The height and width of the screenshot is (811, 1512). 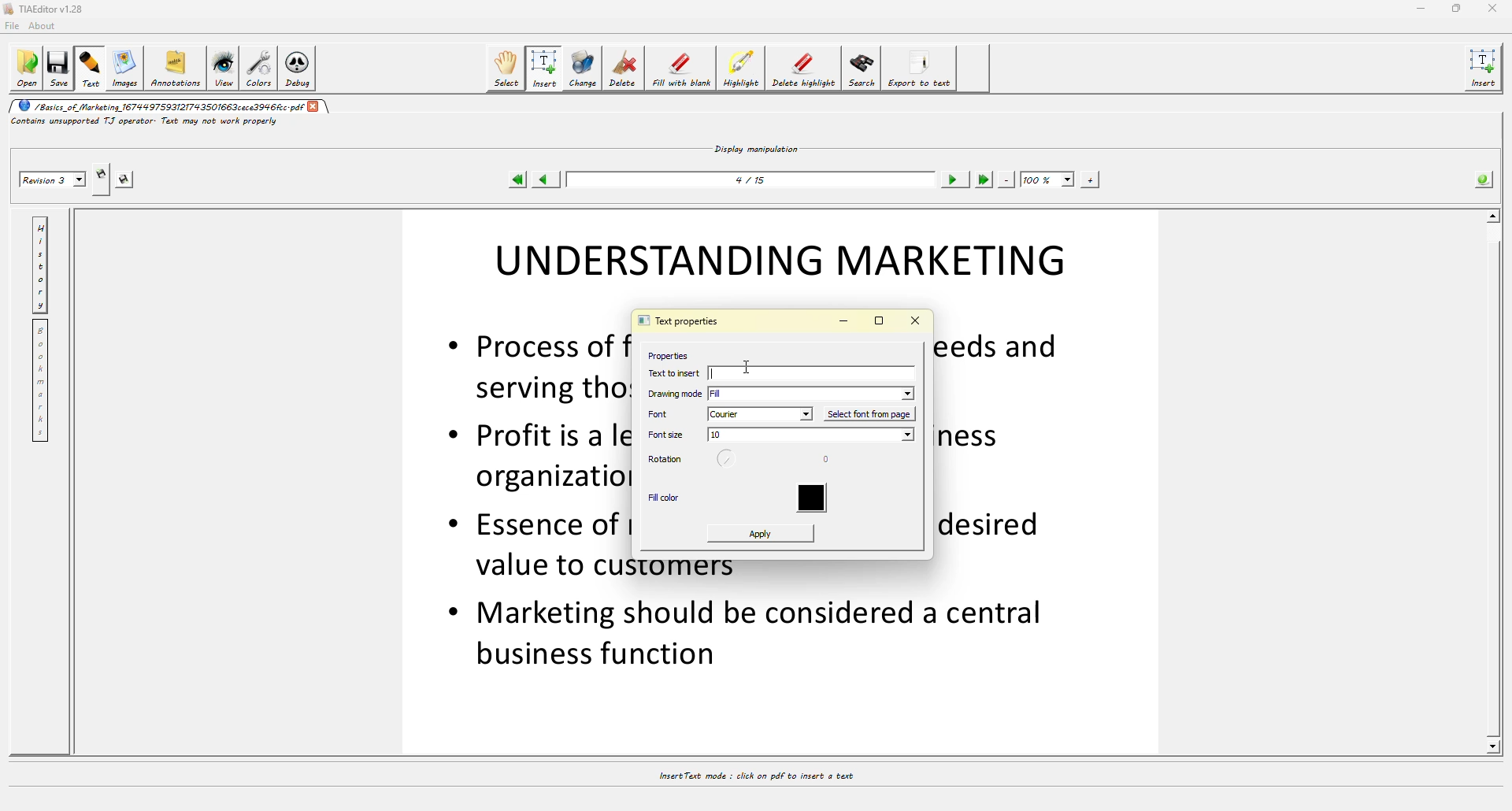 What do you see at coordinates (175, 69) in the screenshot?
I see `annotations` at bounding box center [175, 69].